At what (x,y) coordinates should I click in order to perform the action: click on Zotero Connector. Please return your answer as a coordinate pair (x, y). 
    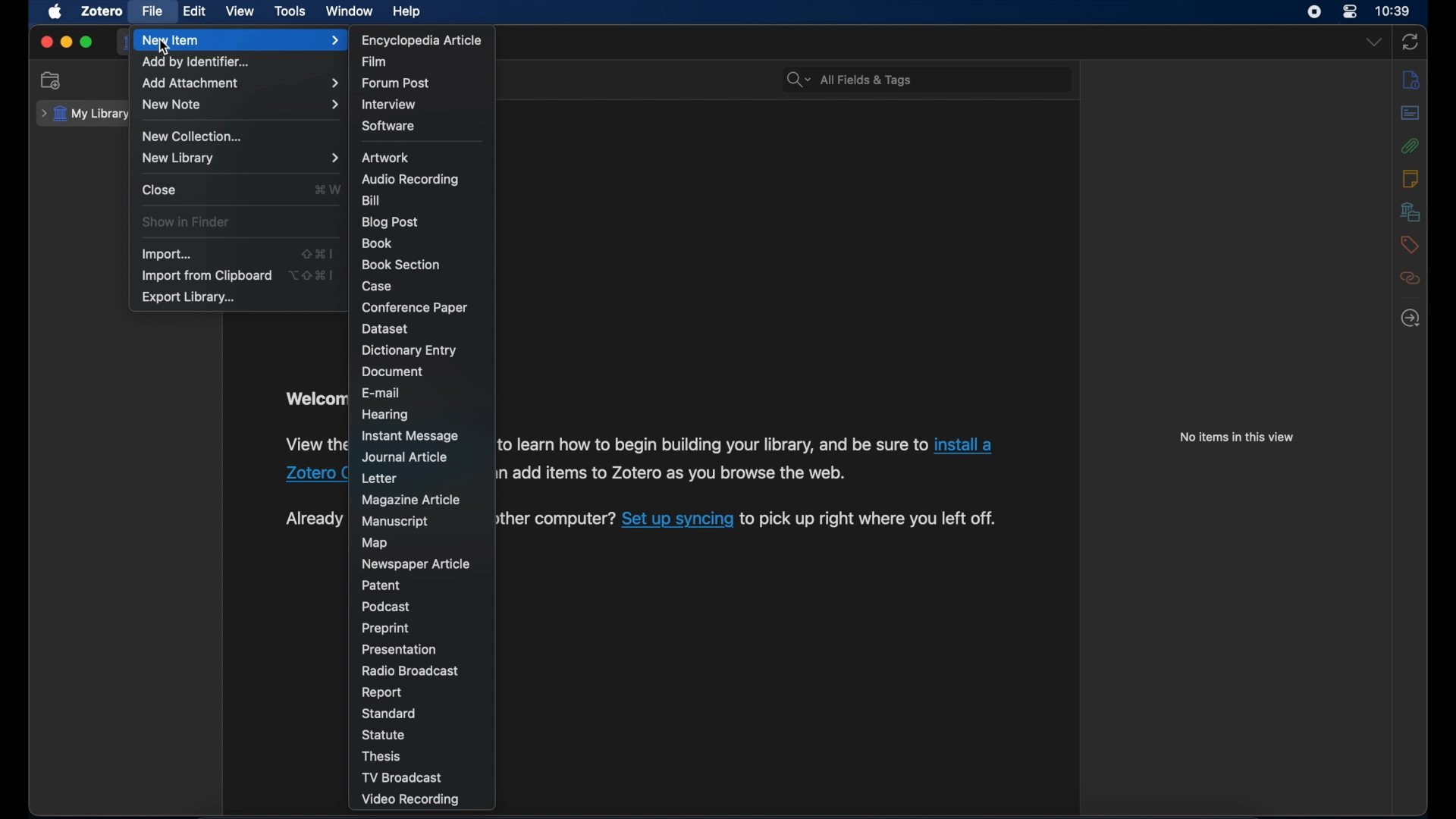
    Looking at the image, I should click on (317, 472).